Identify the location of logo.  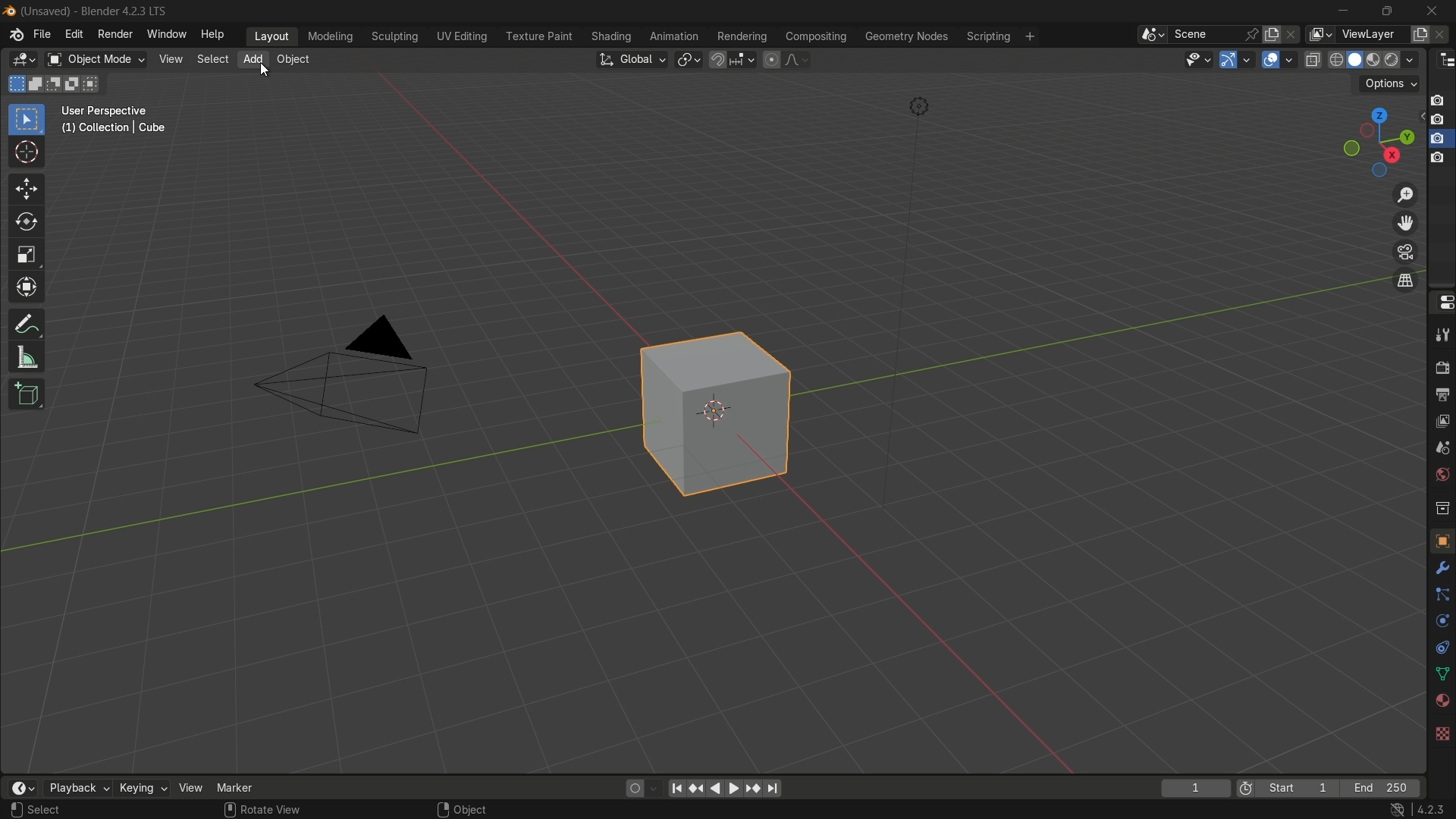
(11, 11).